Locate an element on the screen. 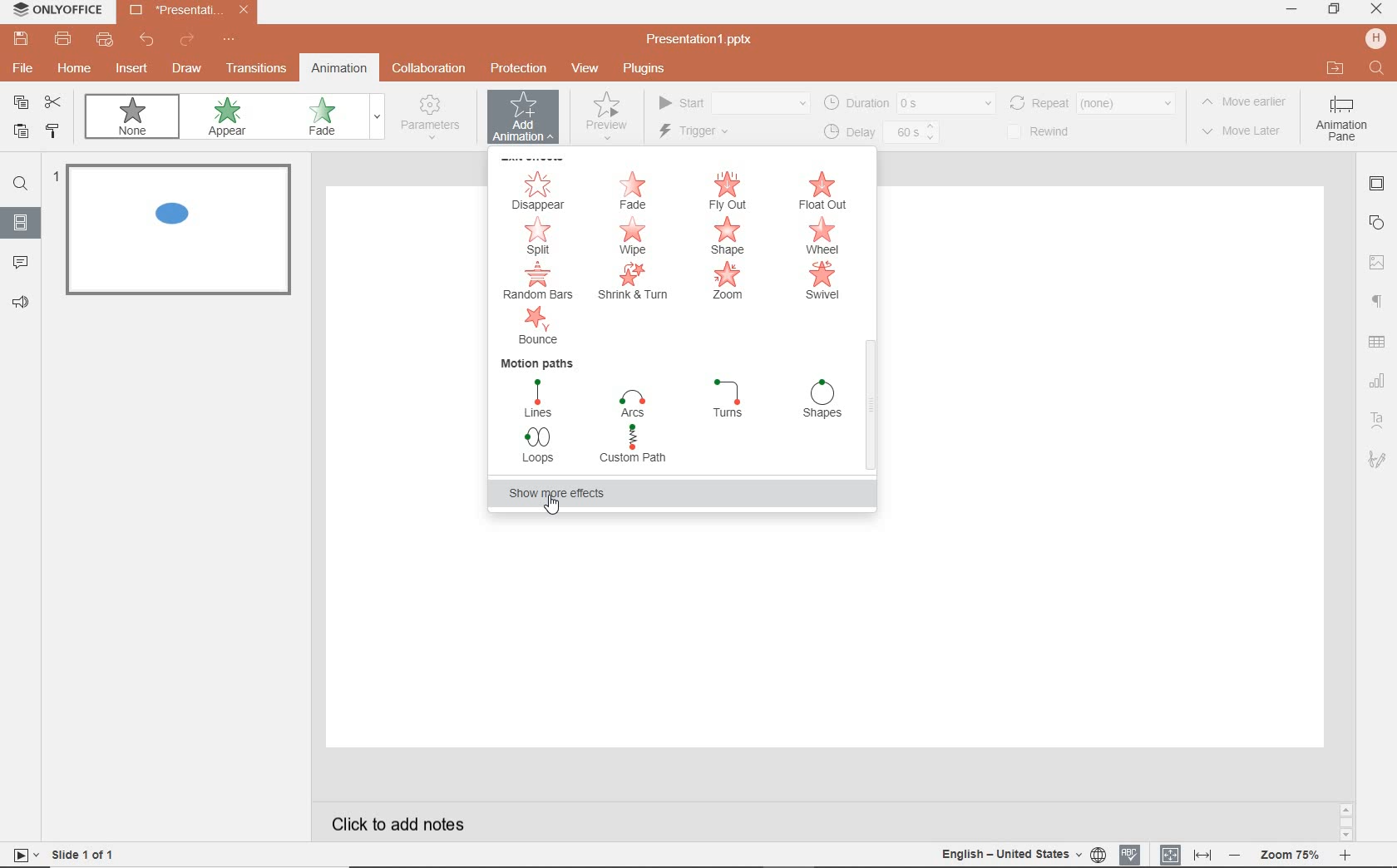  signature is located at coordinates (1377, 461).